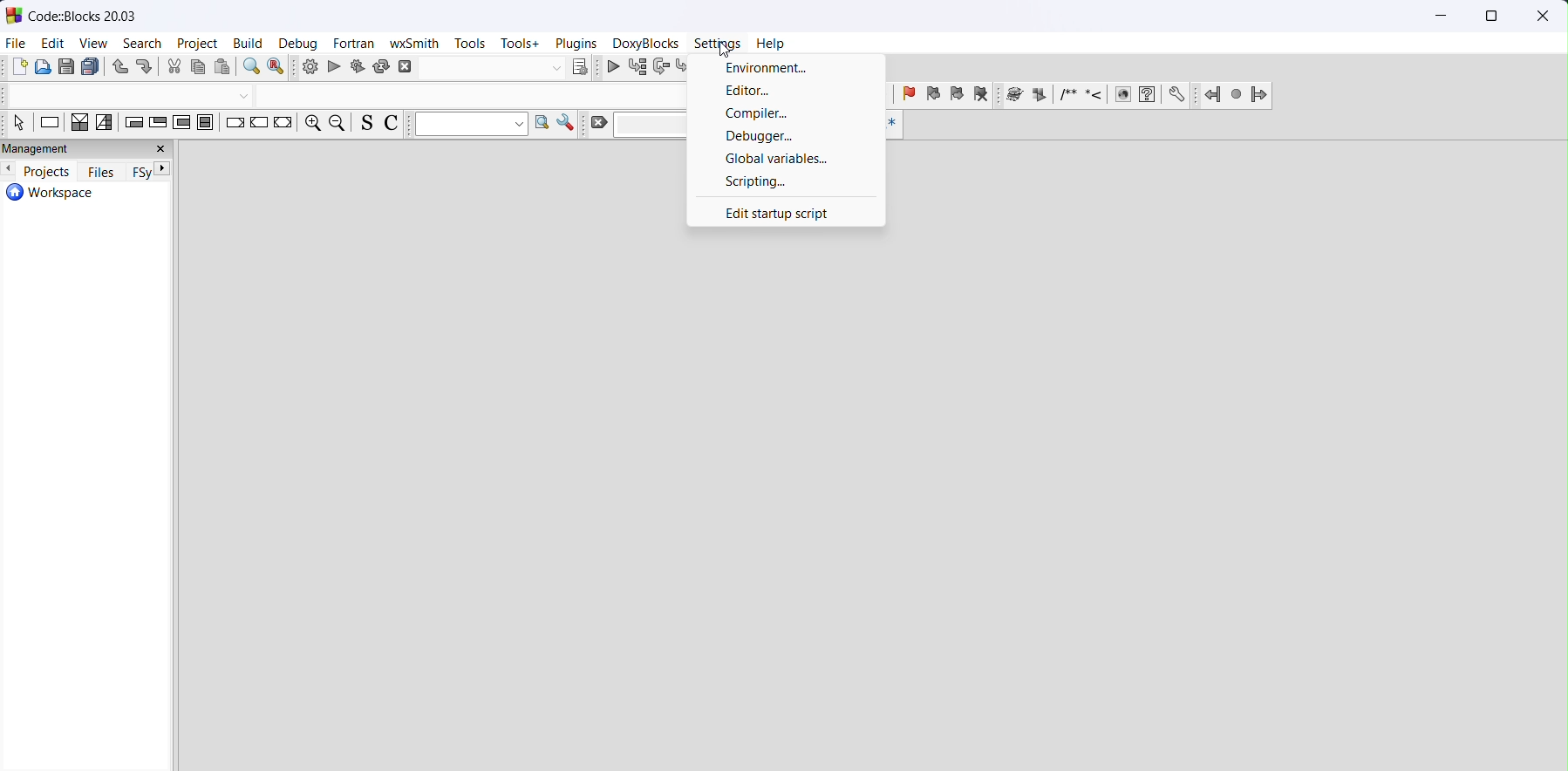  Describe the element at coordinates (958, 96) in the screenshot. I see `next bookmark` at that location.